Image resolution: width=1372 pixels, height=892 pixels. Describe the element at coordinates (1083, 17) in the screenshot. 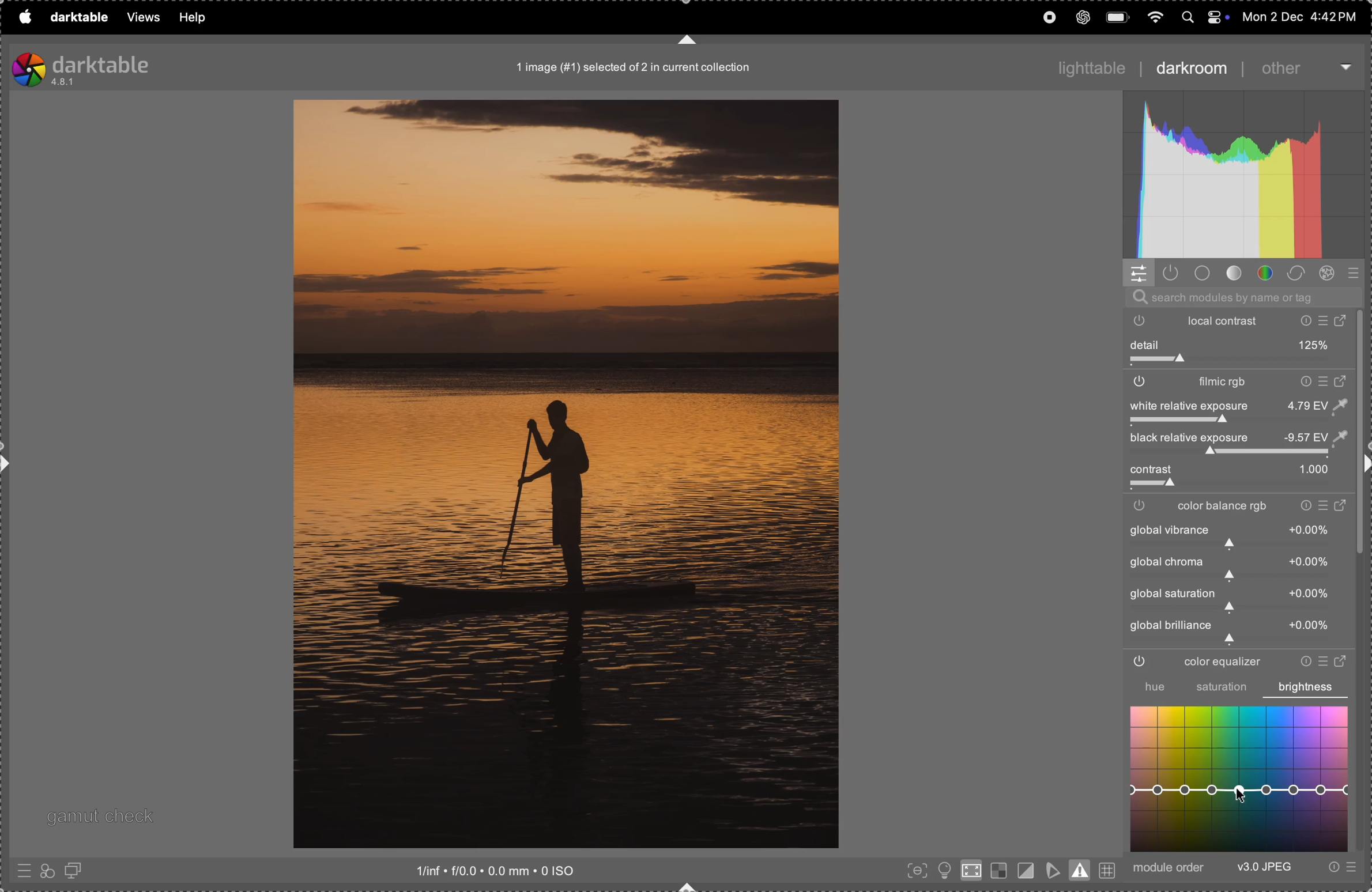

I see `chatgpt` at that location.